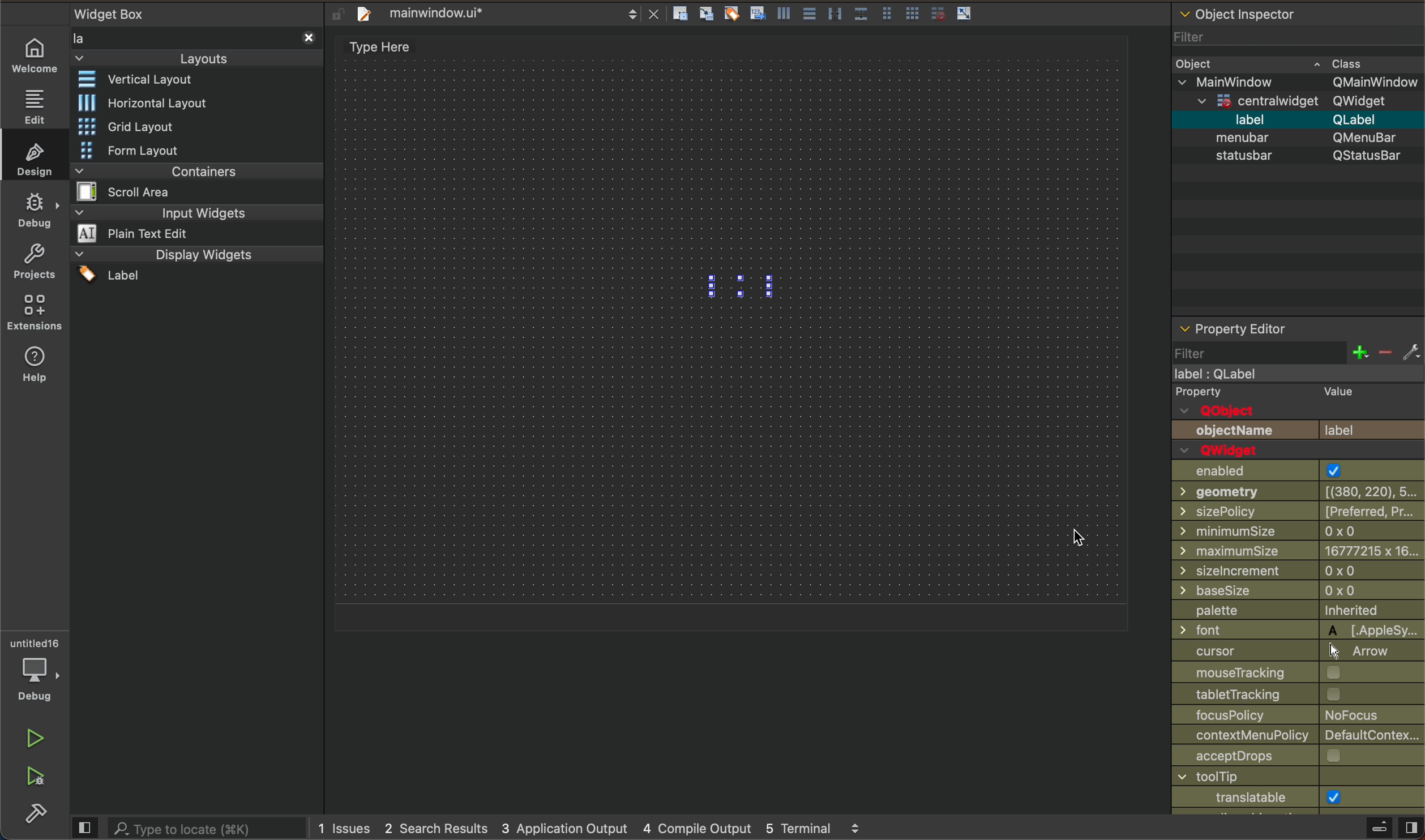 This screenshot has height=840, width=1425. I want to click on object name, so click(1297, 430).